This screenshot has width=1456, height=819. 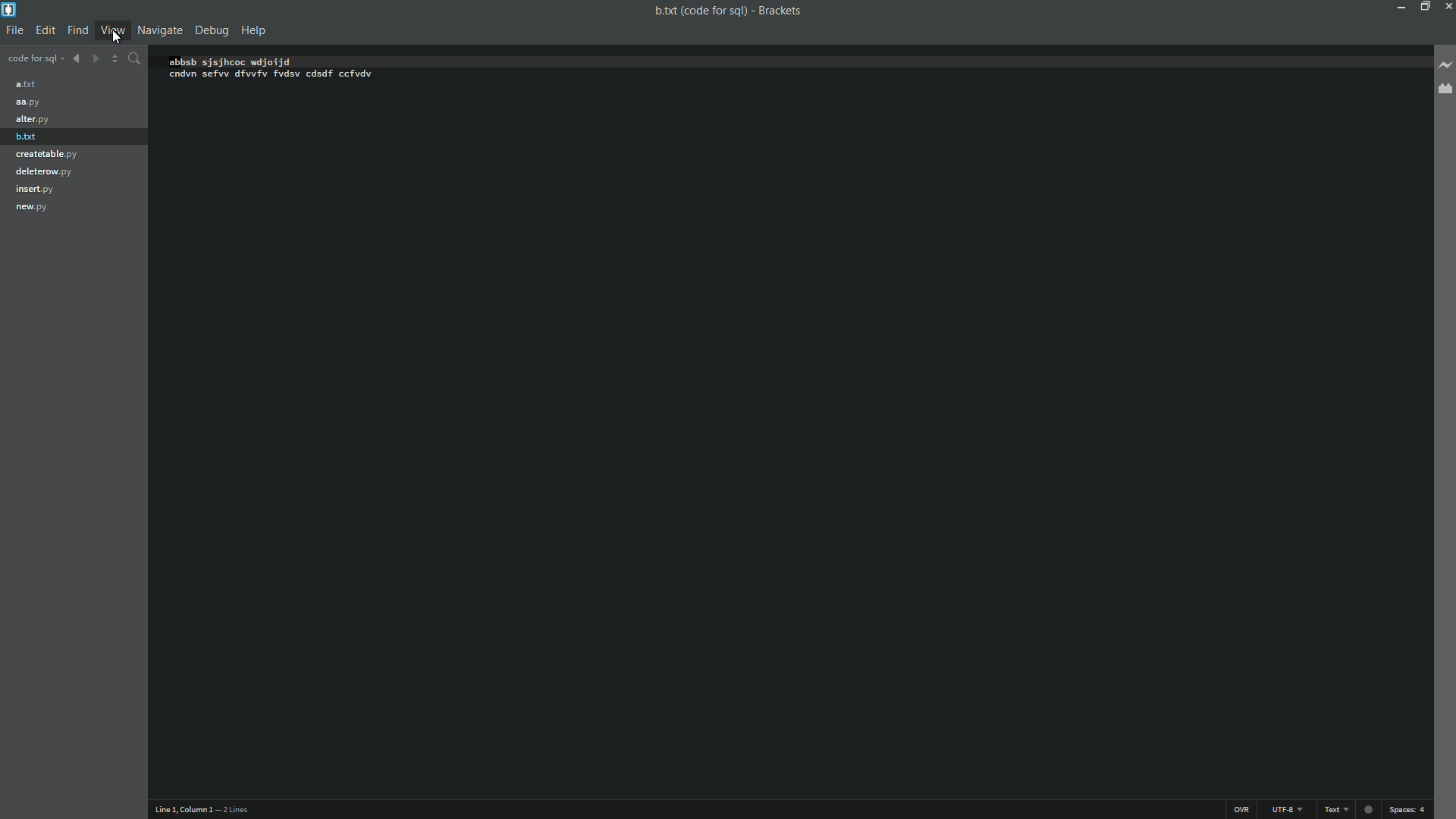 I want to click on cndvn sefw dfvvfv fvdsv cdsdf ccfvdv, so click(x=272, y=74).